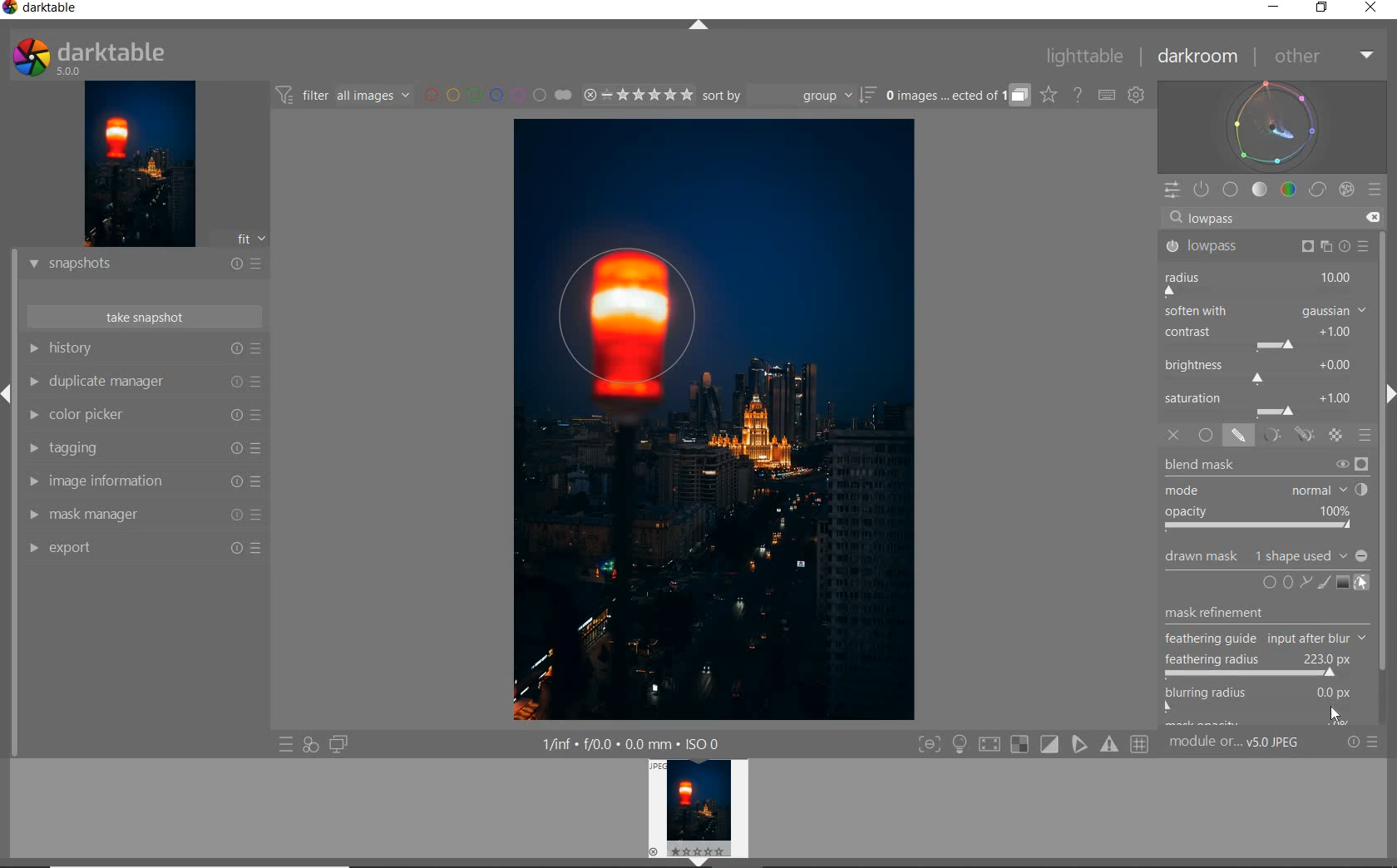 Image resolution: width=1397 pixels, height=868 pixels. Describe the element at coordinates (1336, 716) in the screenshot. I see `CURSOR` at that location.